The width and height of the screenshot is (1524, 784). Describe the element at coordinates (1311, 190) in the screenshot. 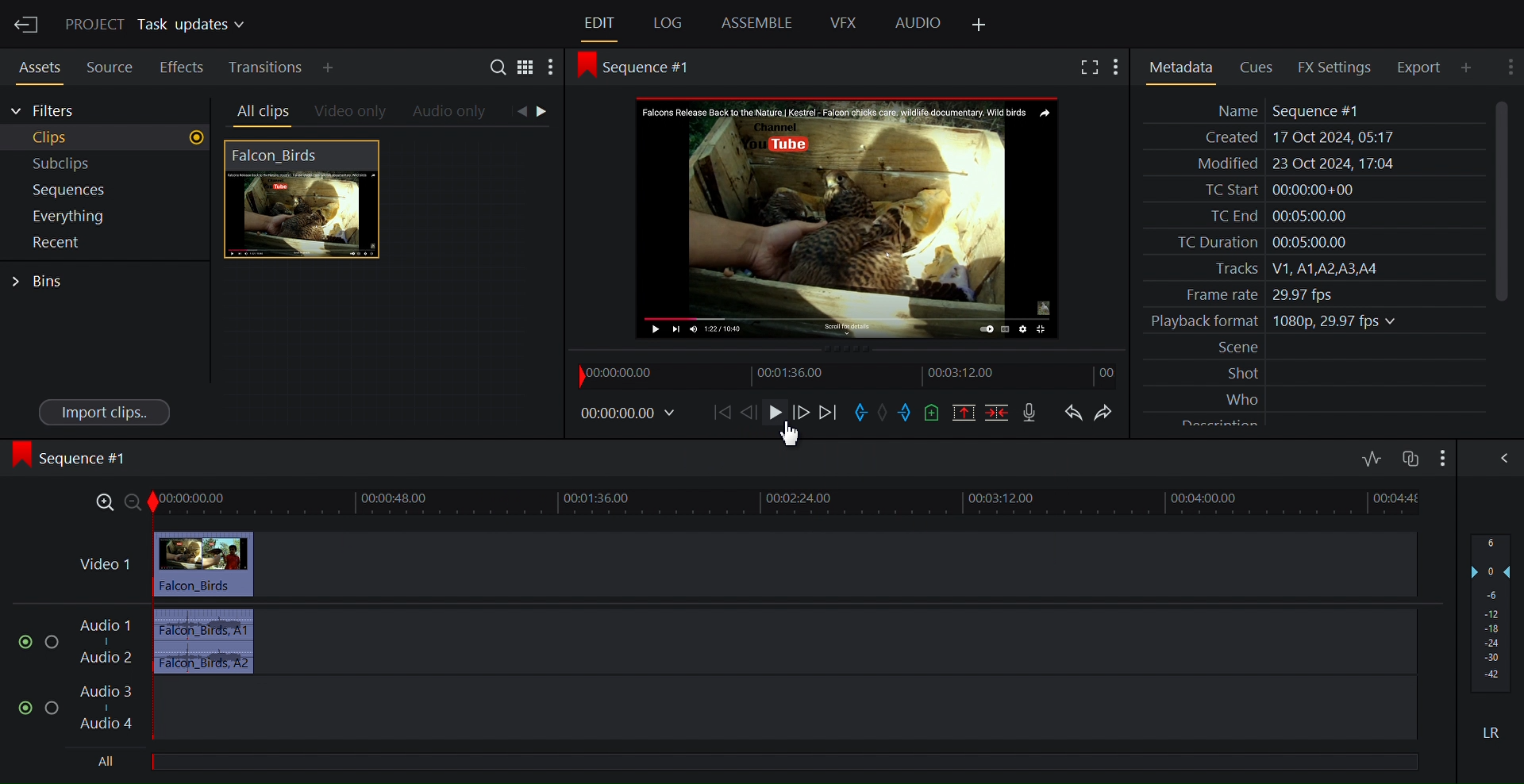

I see `TC Start` at that location.